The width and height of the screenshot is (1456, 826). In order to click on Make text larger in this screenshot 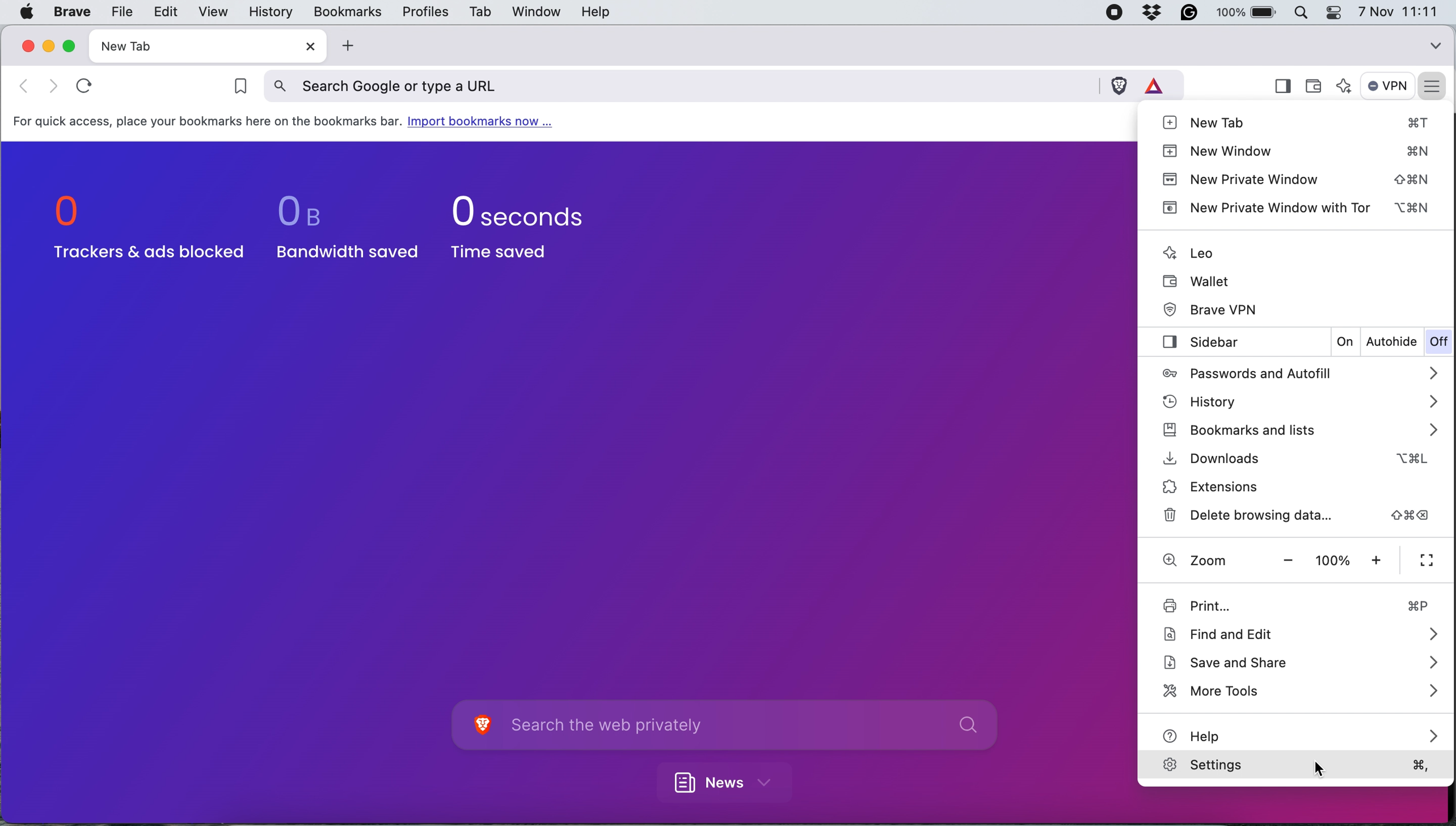, I will do `click(1379, 560)`.